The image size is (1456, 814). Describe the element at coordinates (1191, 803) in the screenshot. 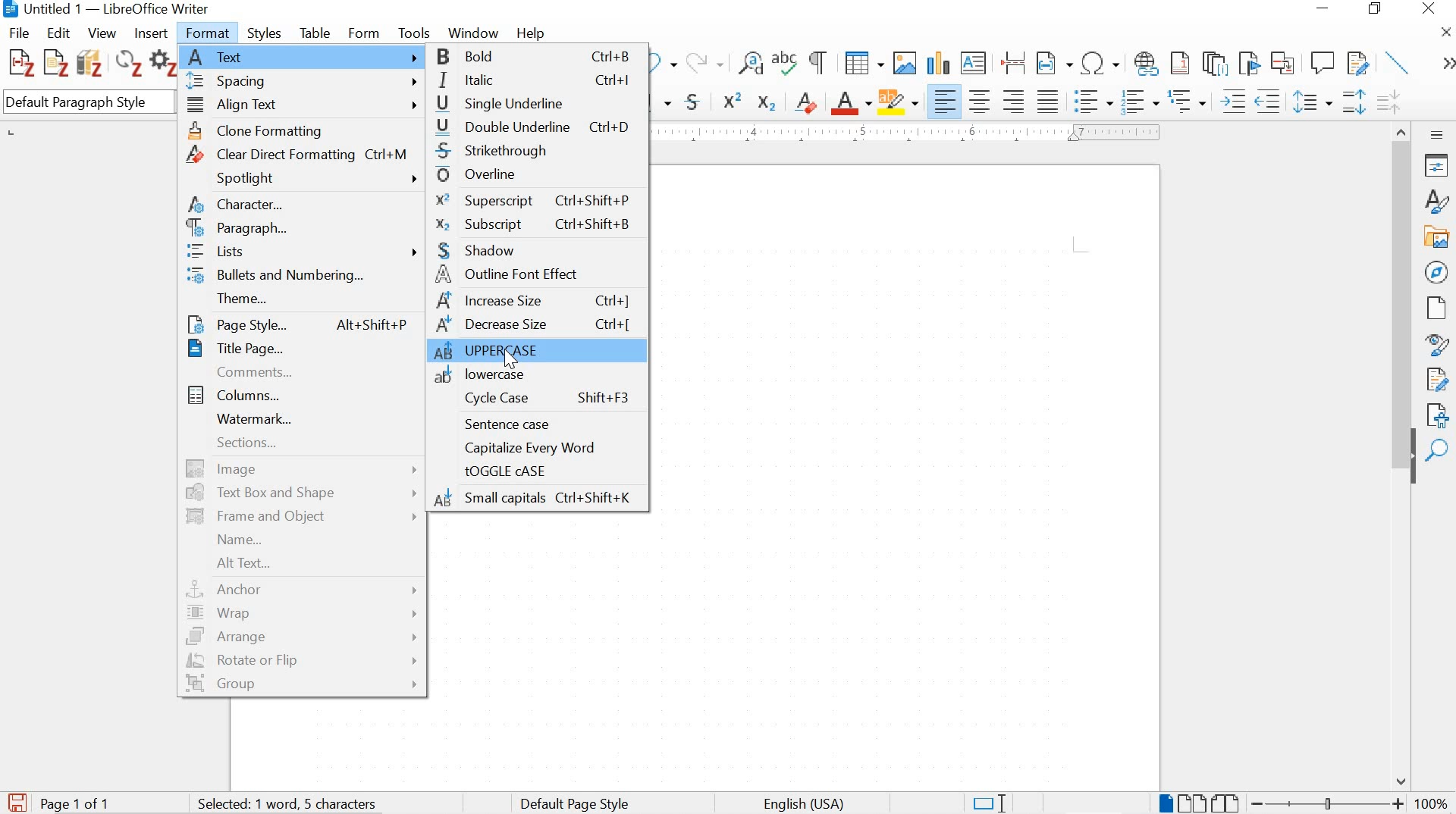

I see `multiple page view` at that location.